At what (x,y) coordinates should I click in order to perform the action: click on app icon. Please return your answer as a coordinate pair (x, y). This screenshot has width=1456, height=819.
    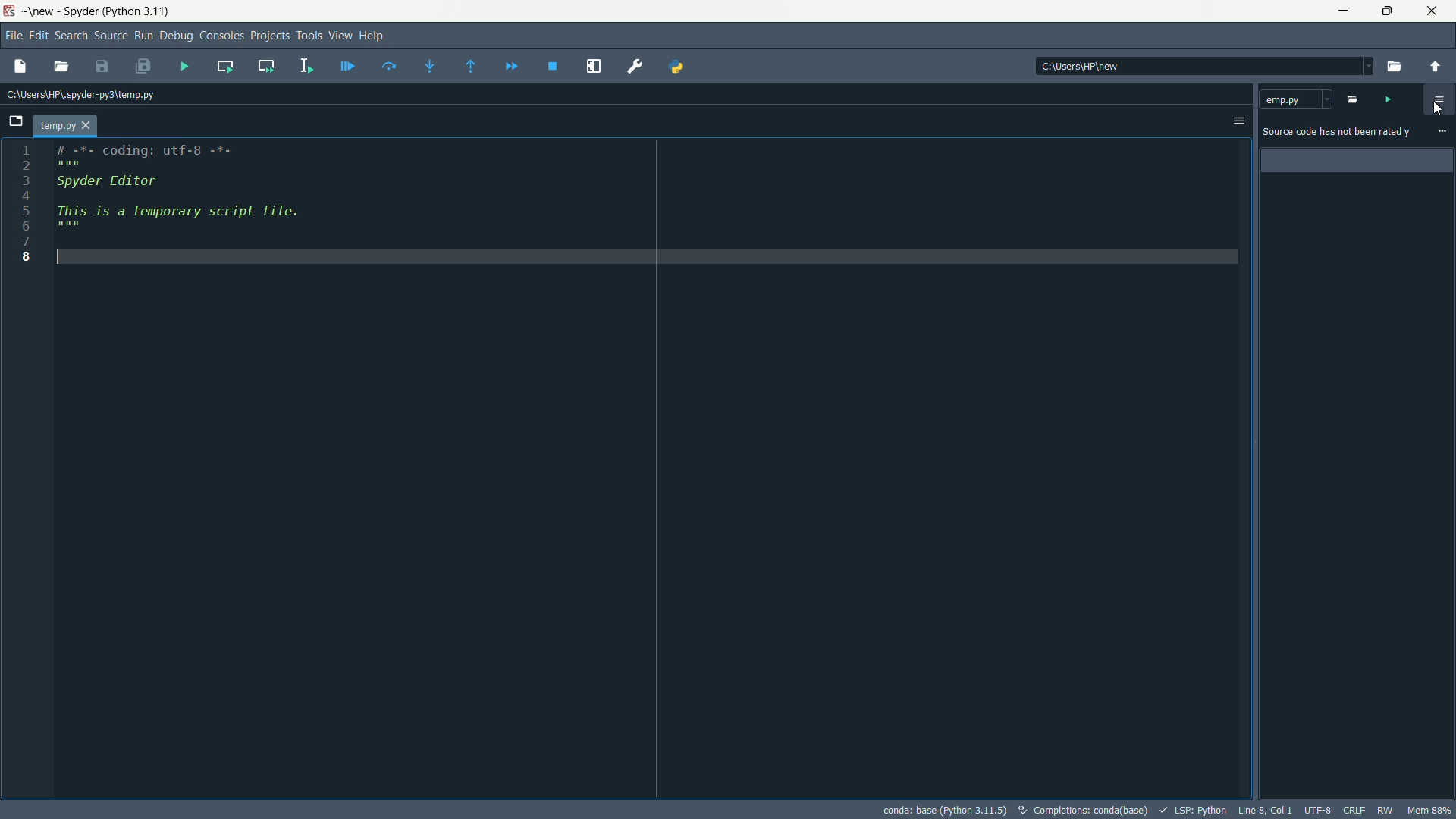
    Looking at the image, I should click on (11, 11).